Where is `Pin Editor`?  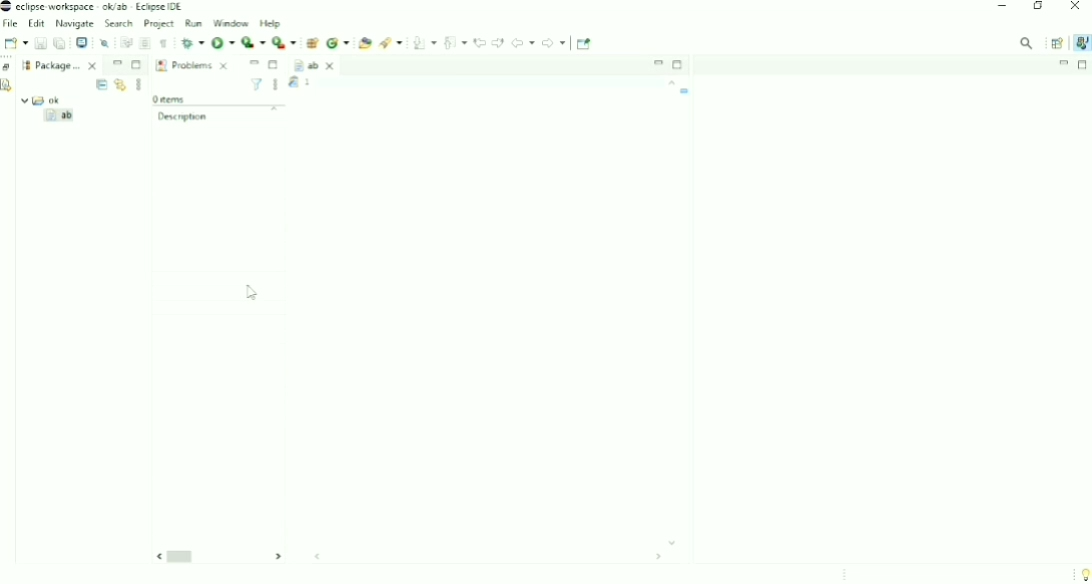 Pin Editor is located at coordinates (585, 44).